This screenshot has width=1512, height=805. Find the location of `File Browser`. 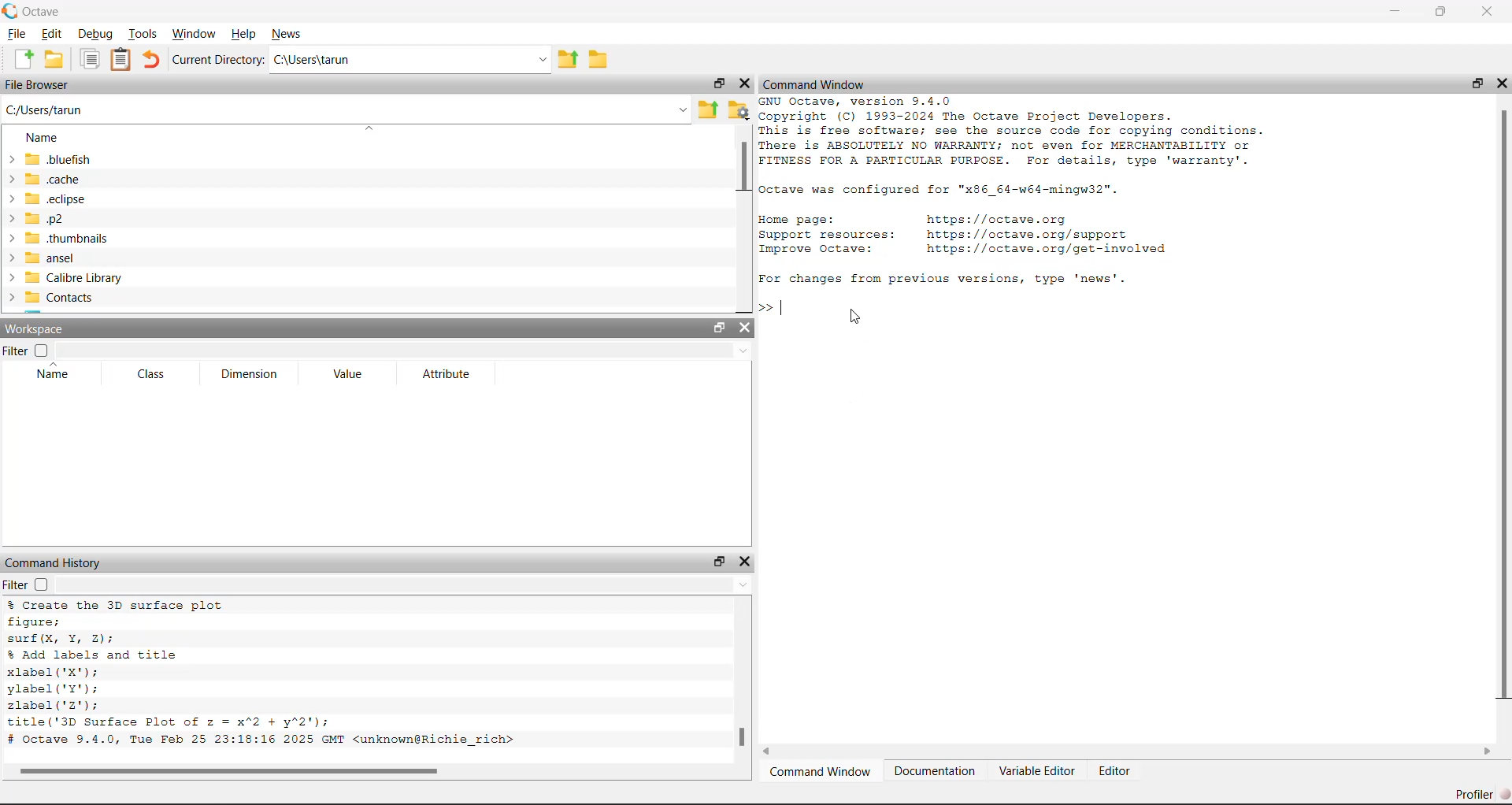

File Browser is located at coordinates (38, 84).